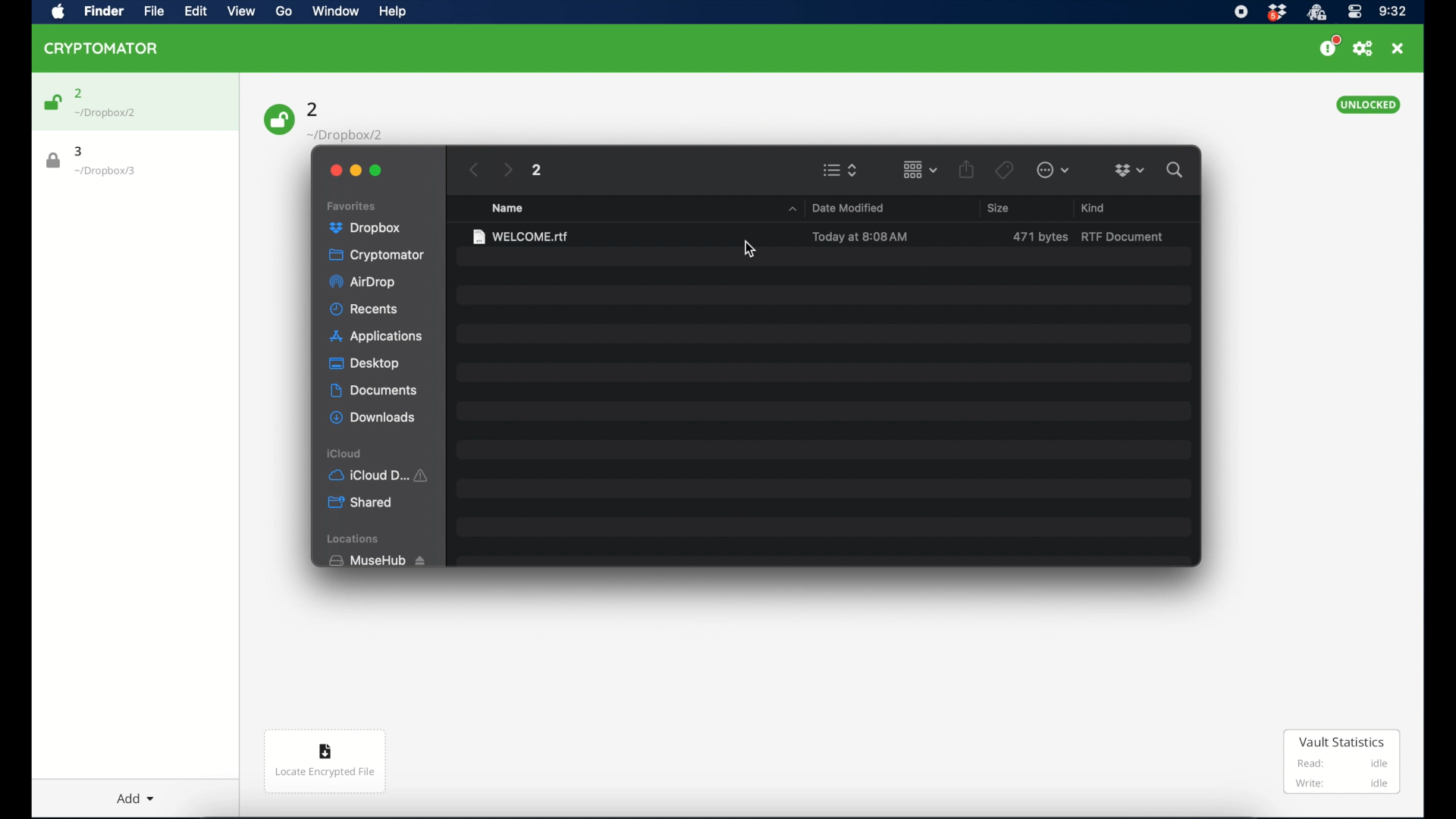 Image resolution: width=1456 pixels, height=819 pixels. Describe the element at coordinates (1343, 763) in the screenshot. I see `vault statistics` at that location.